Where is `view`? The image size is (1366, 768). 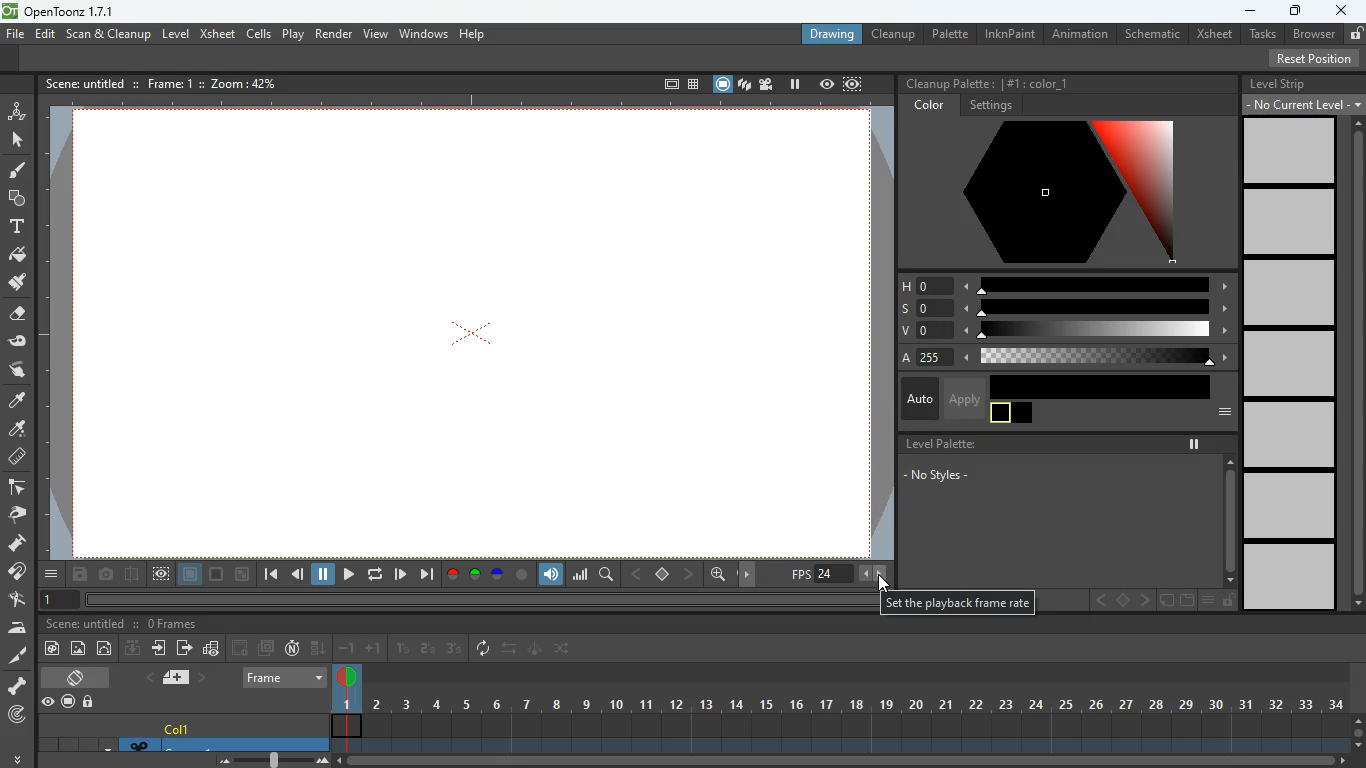
view is located at coordinates (47, 703).